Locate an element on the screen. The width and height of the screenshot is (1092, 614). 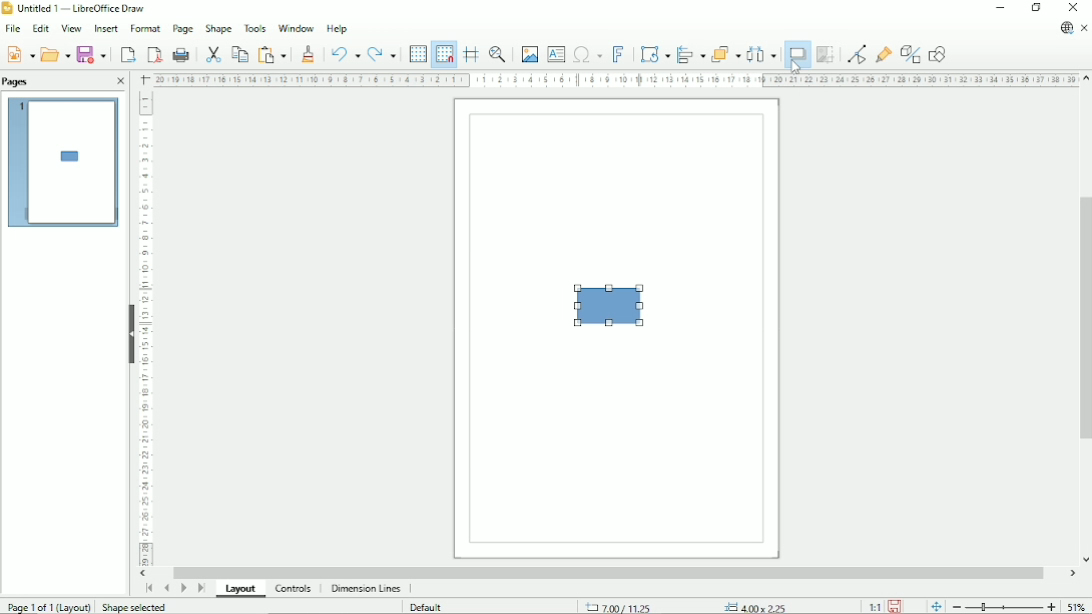
Toggle point edit mode is located at coordinates (855, 53).